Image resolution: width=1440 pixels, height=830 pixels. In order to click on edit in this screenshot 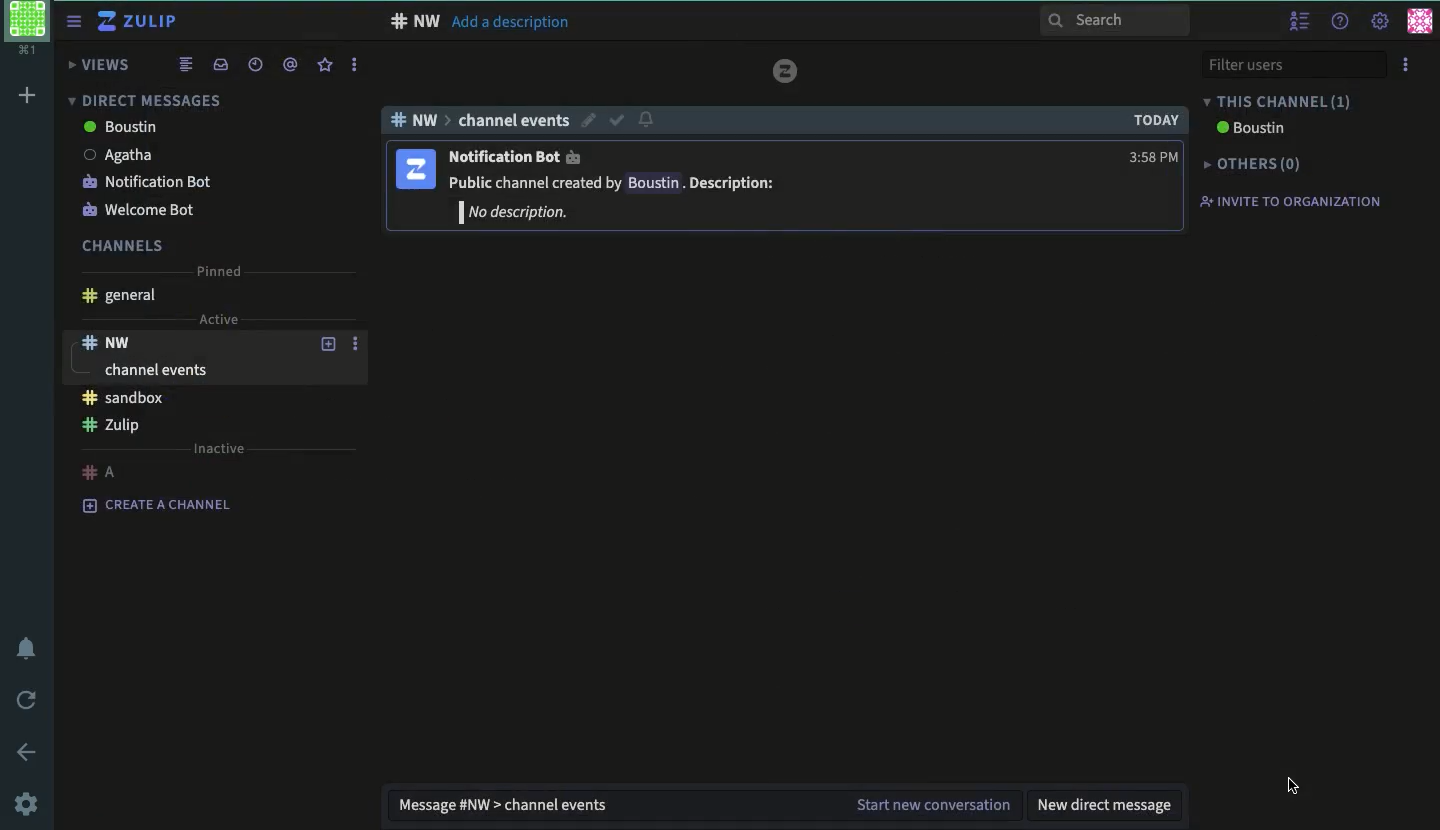, I will do `click(585, 119)`.